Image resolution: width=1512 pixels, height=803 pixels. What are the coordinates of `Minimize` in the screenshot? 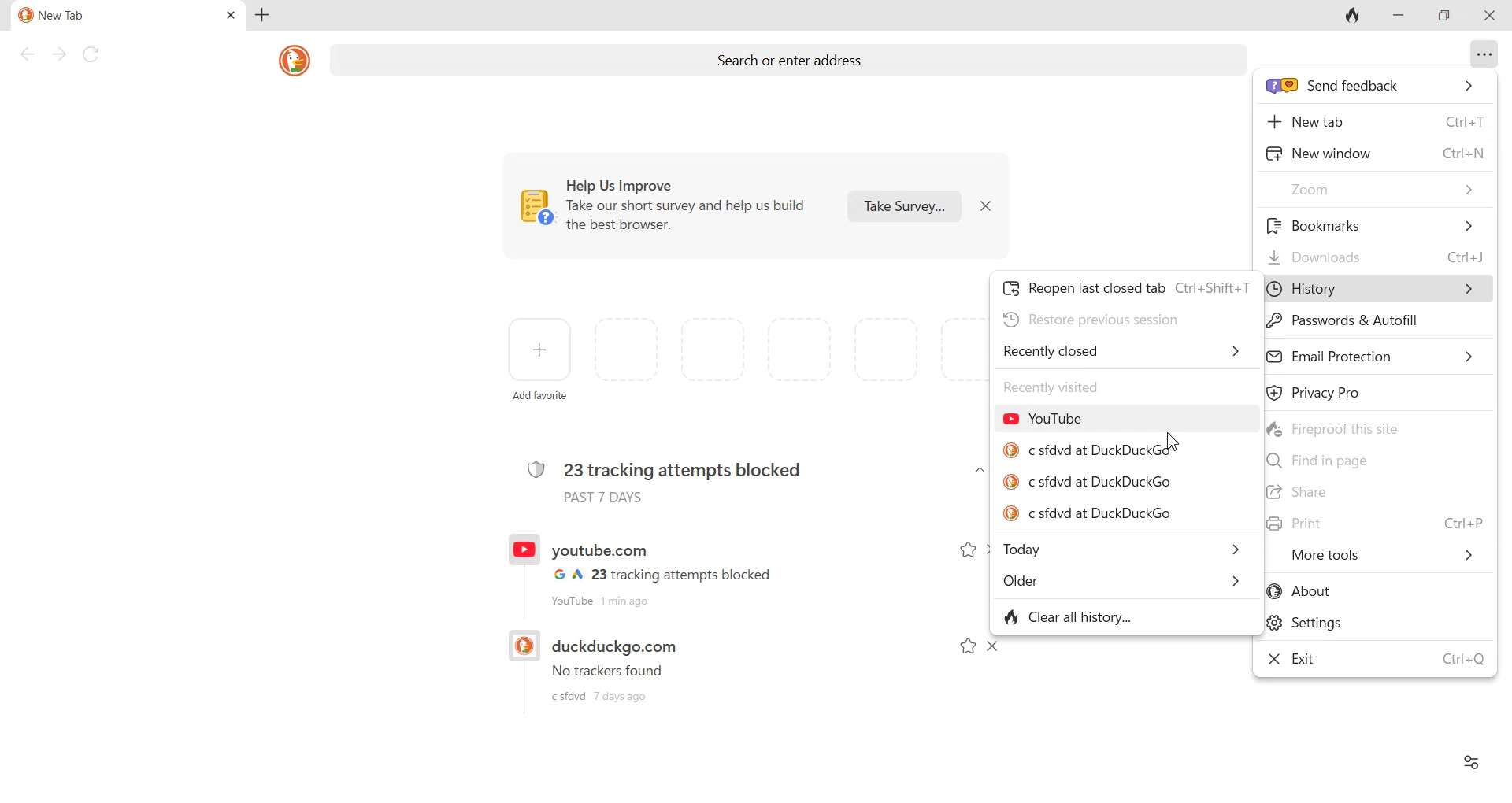 It's located at (1396, 16).